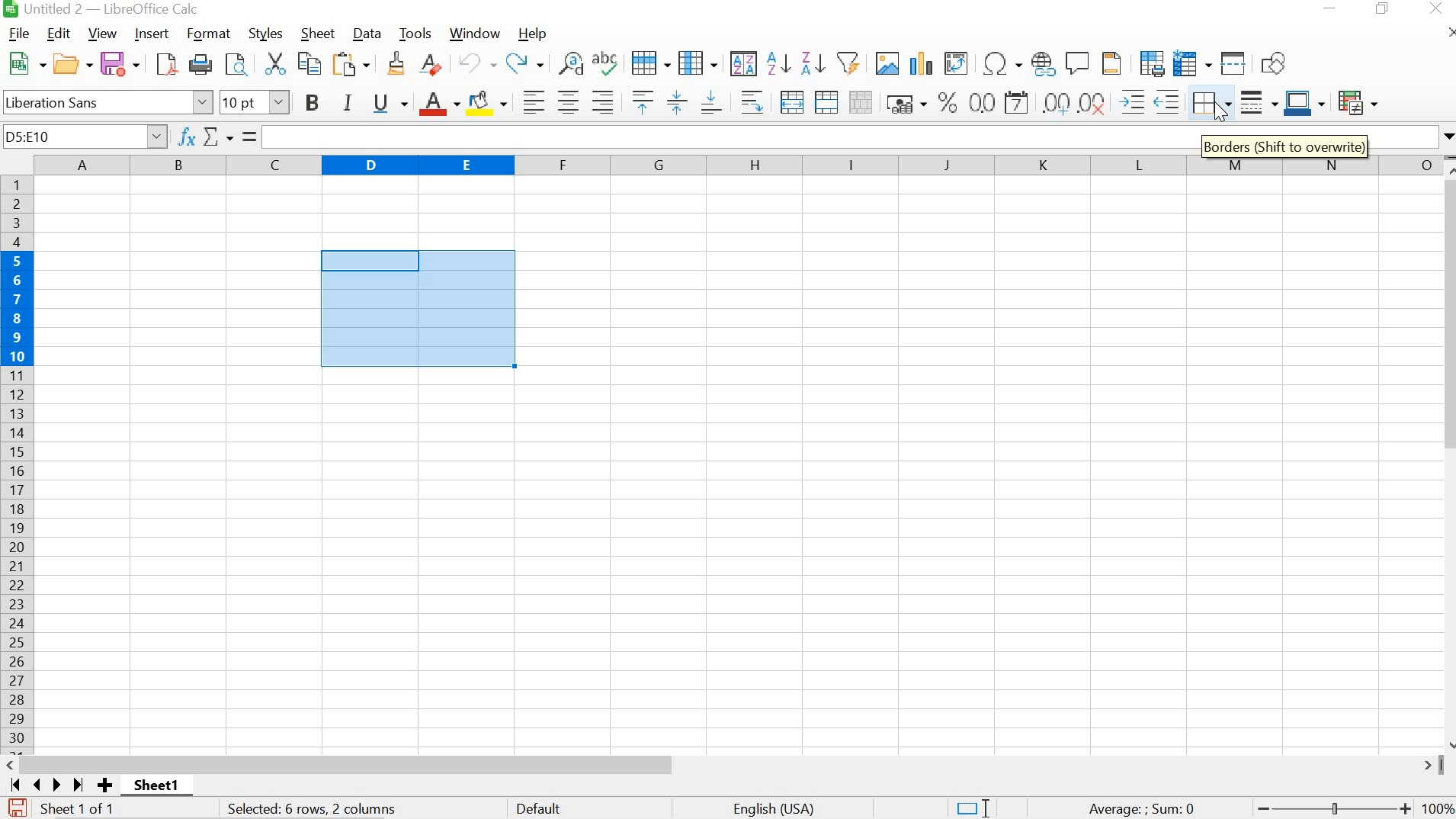  What do you see at coordinates (813, 64) in the screenshot?
I see `SORT DESCENDING` at bounding box center [813, 64].